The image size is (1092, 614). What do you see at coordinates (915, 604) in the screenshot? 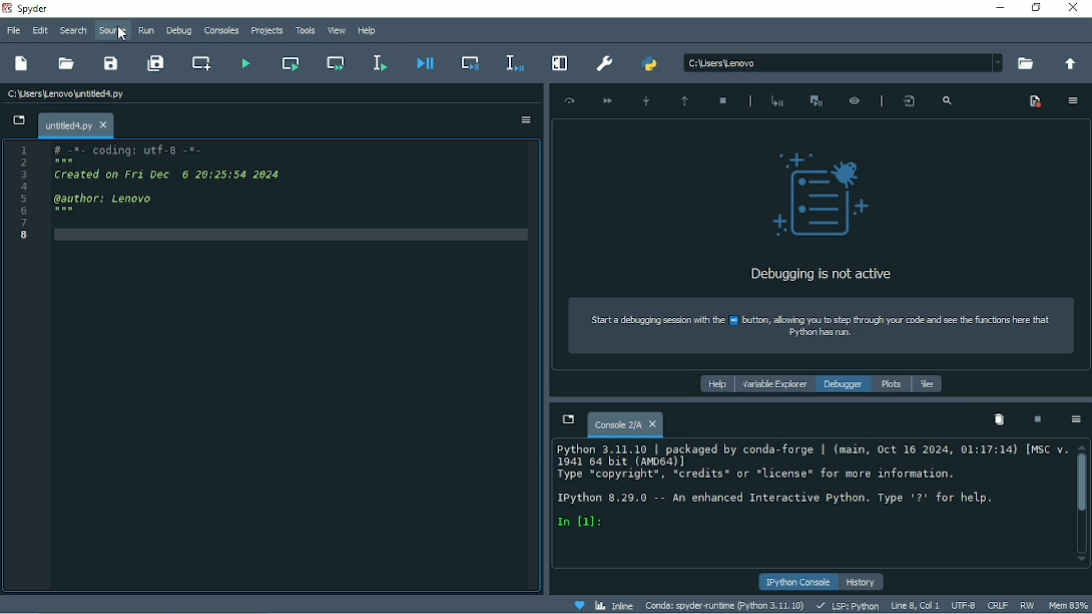
I see `Line 8, Col 1` at bounding box center [915, 604].